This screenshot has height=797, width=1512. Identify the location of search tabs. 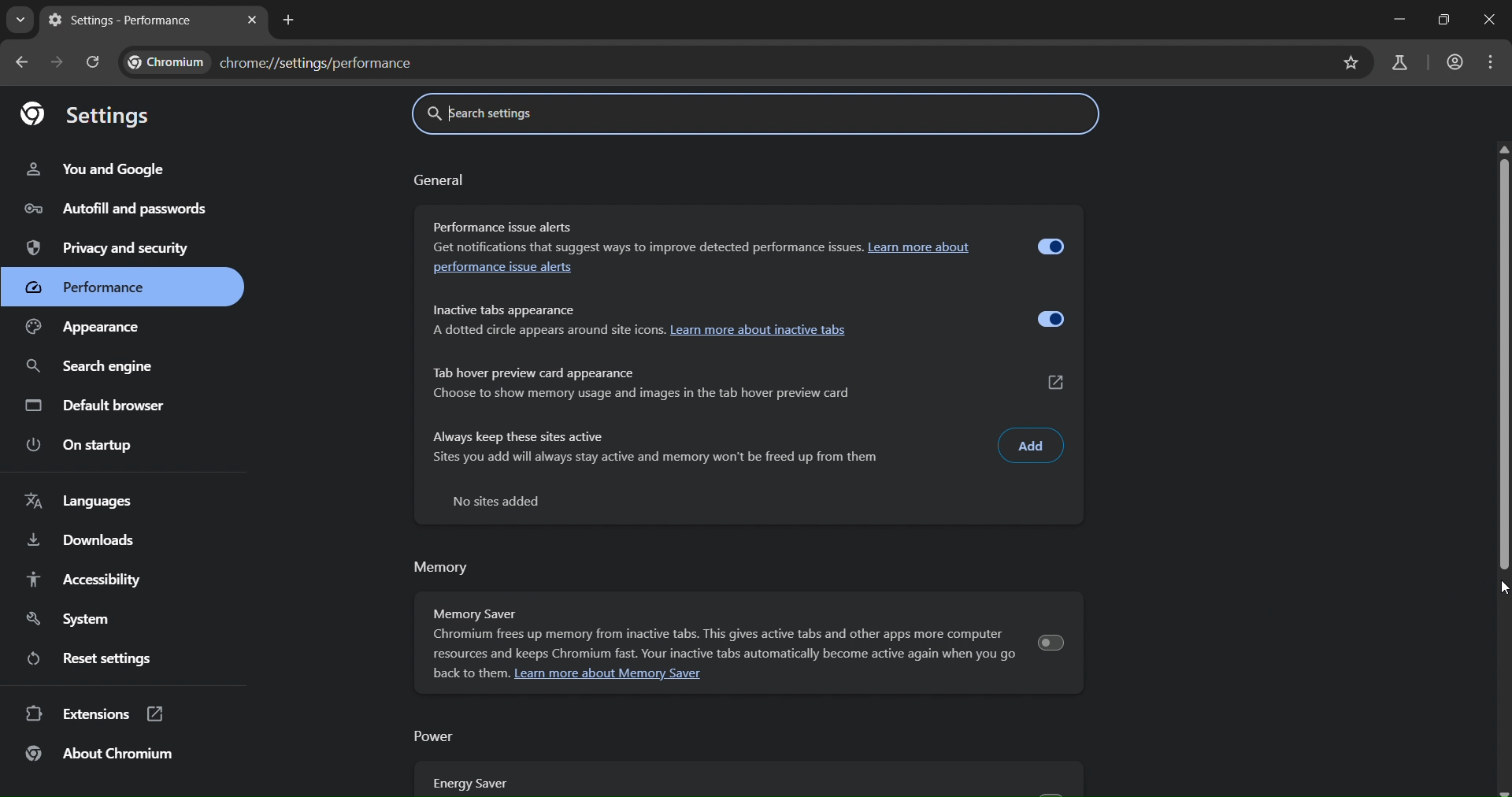
(20, 21).